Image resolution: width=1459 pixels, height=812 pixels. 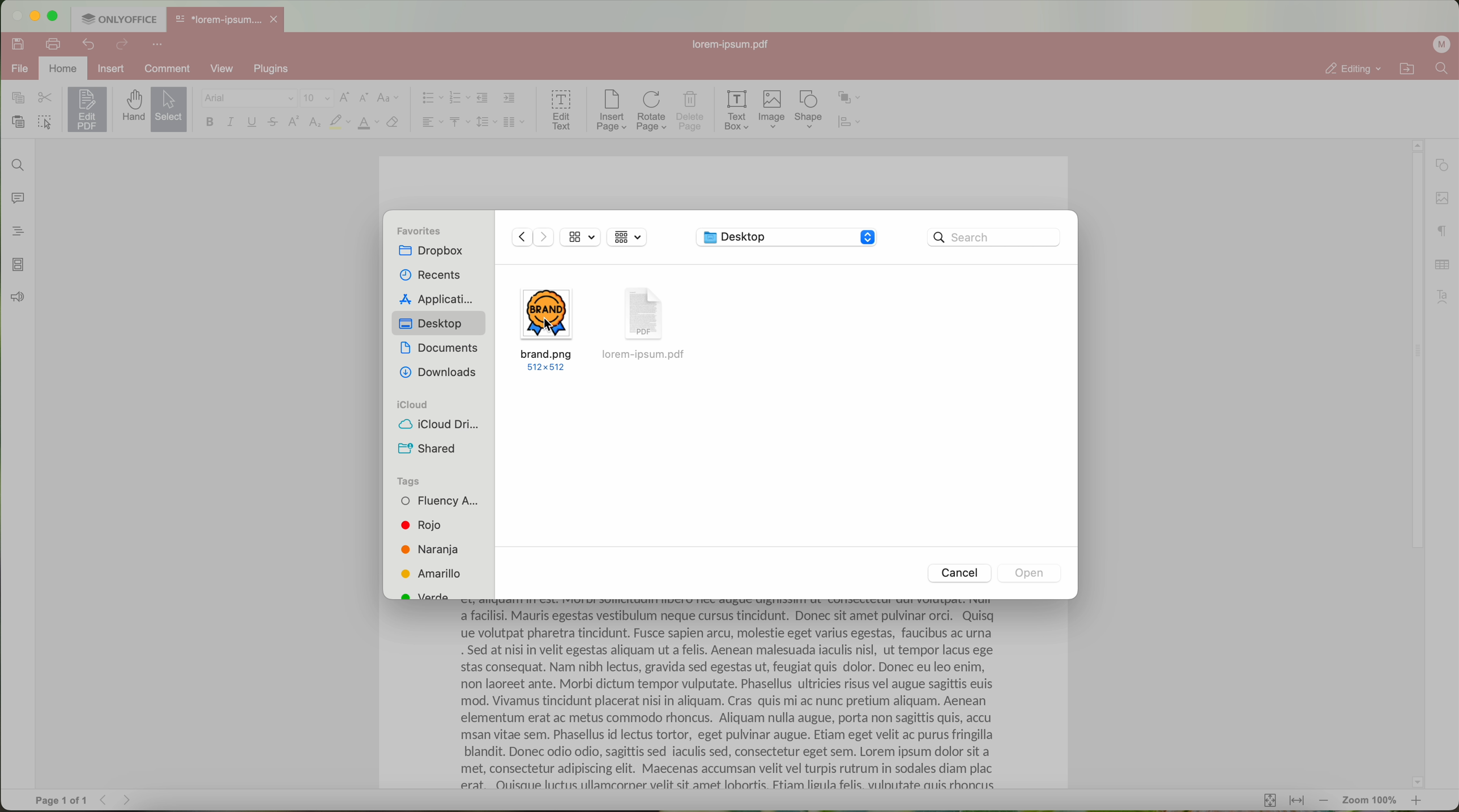 What do you see at coordinates (652, 112) in the screenshot?
I see `rotate page` at bounding box center [652, 112].